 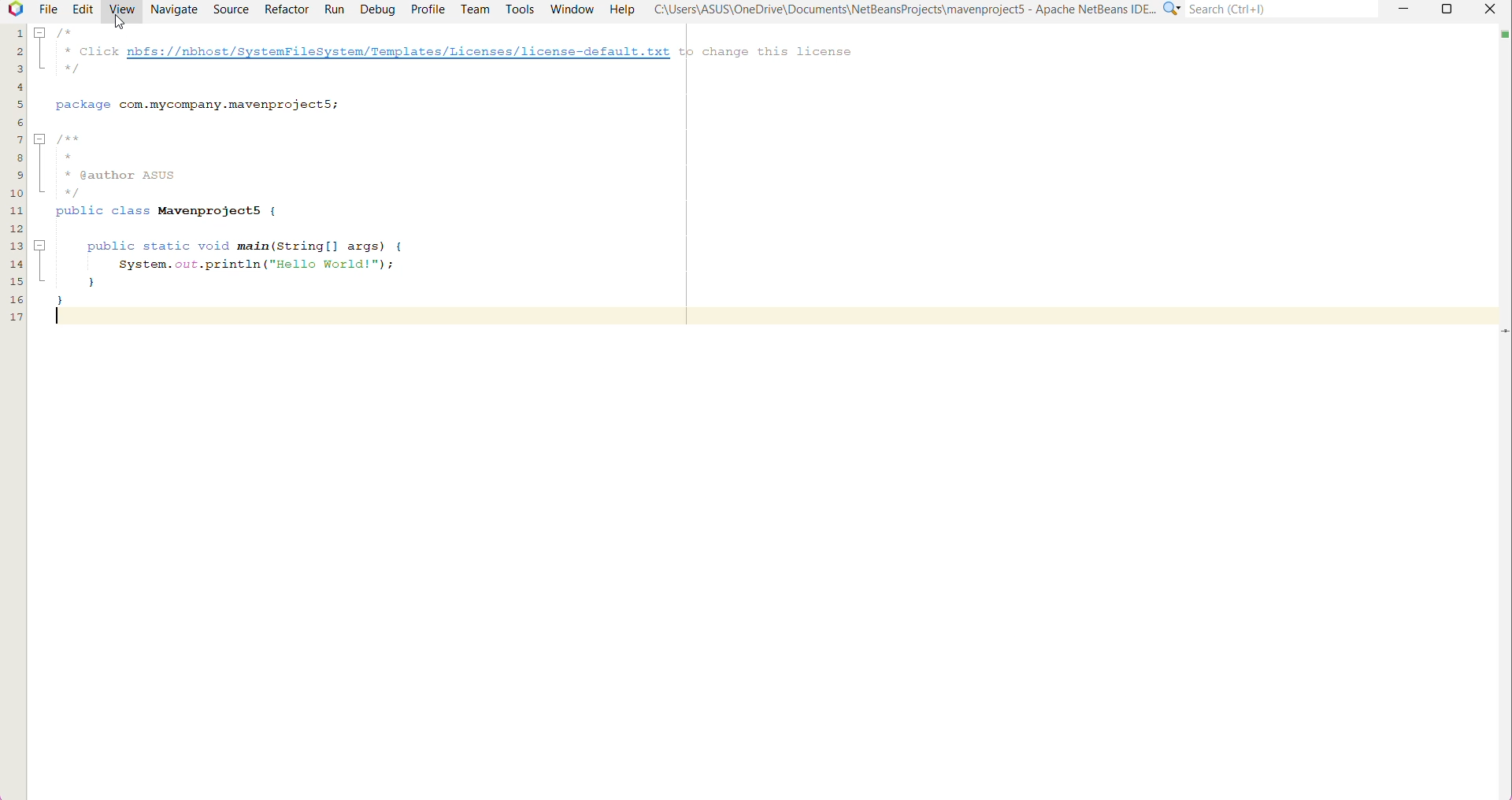 I want to click on lines of code, so click(x=13, y=180).